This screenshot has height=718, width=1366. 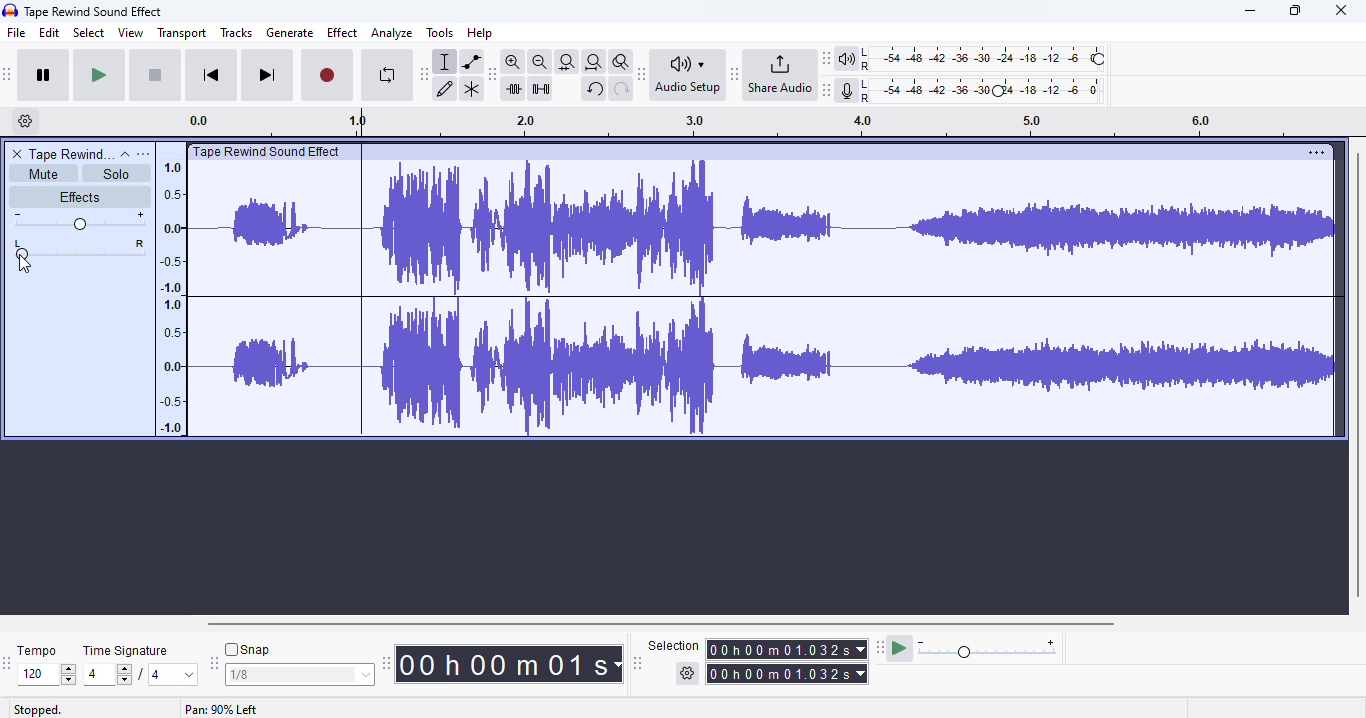 I want to click on audio meter, so click(x=973, y=92).